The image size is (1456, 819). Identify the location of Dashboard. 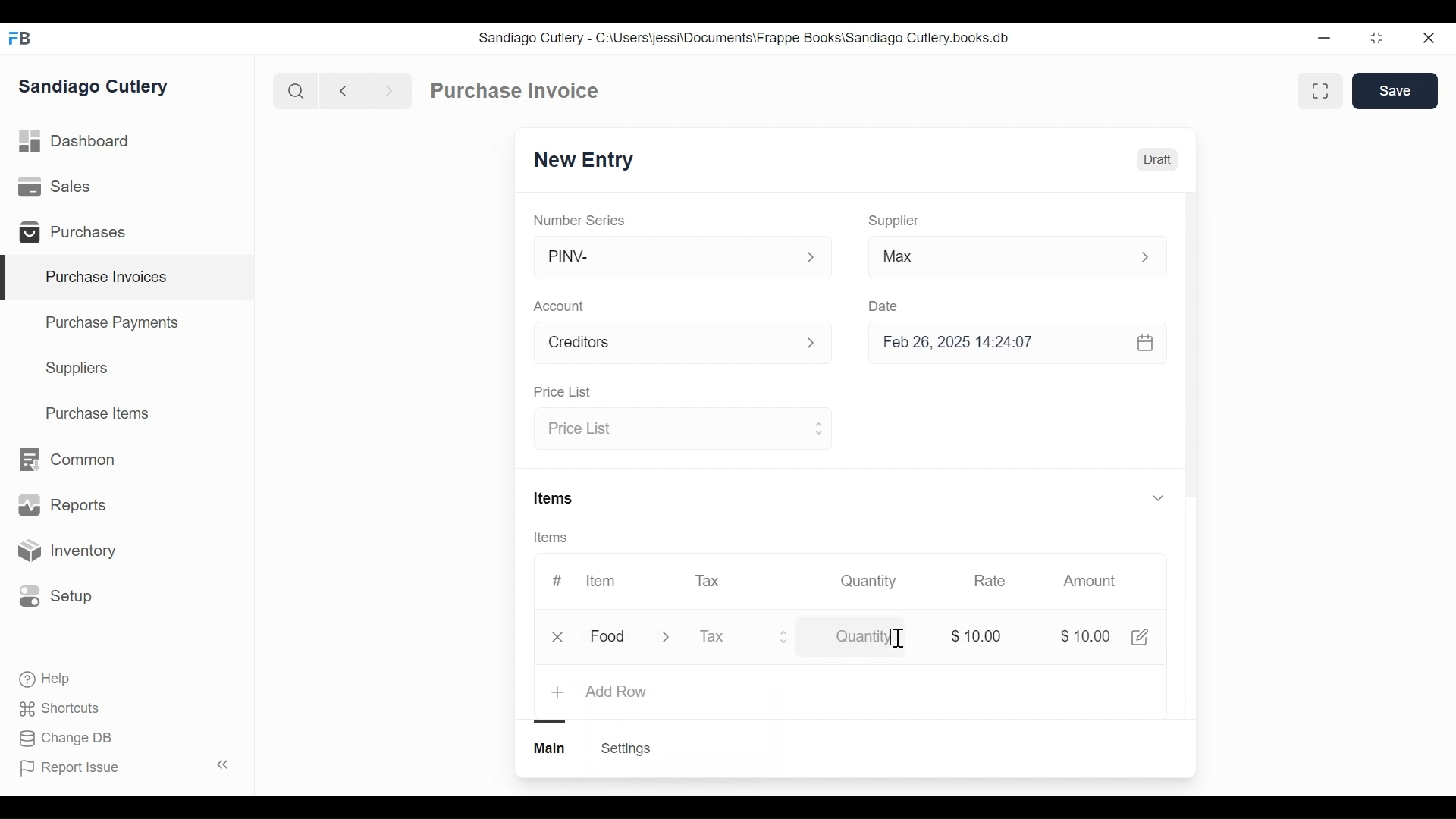
(76, 142).